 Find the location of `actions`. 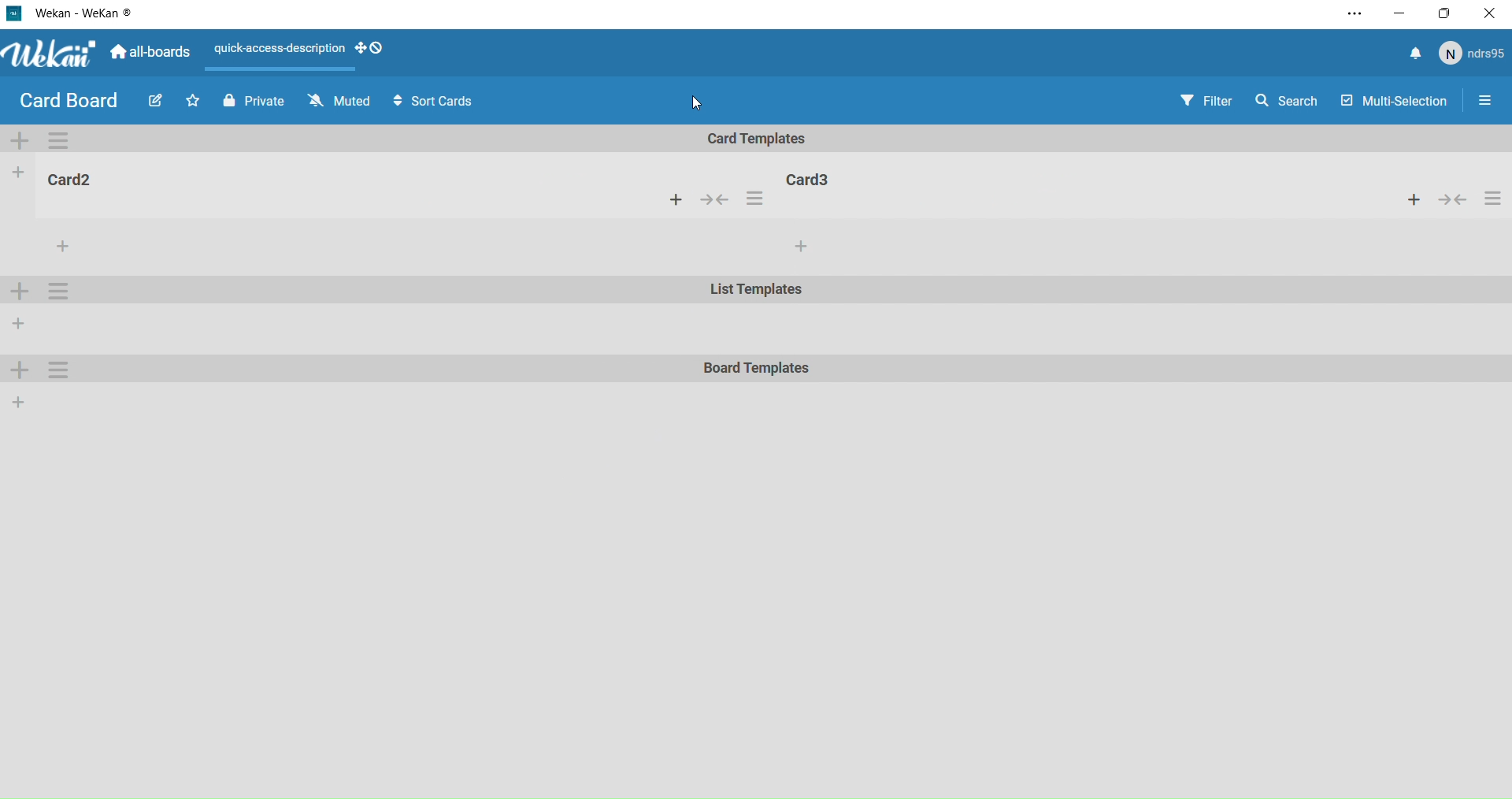

actions is located at coordinates (754, 200).